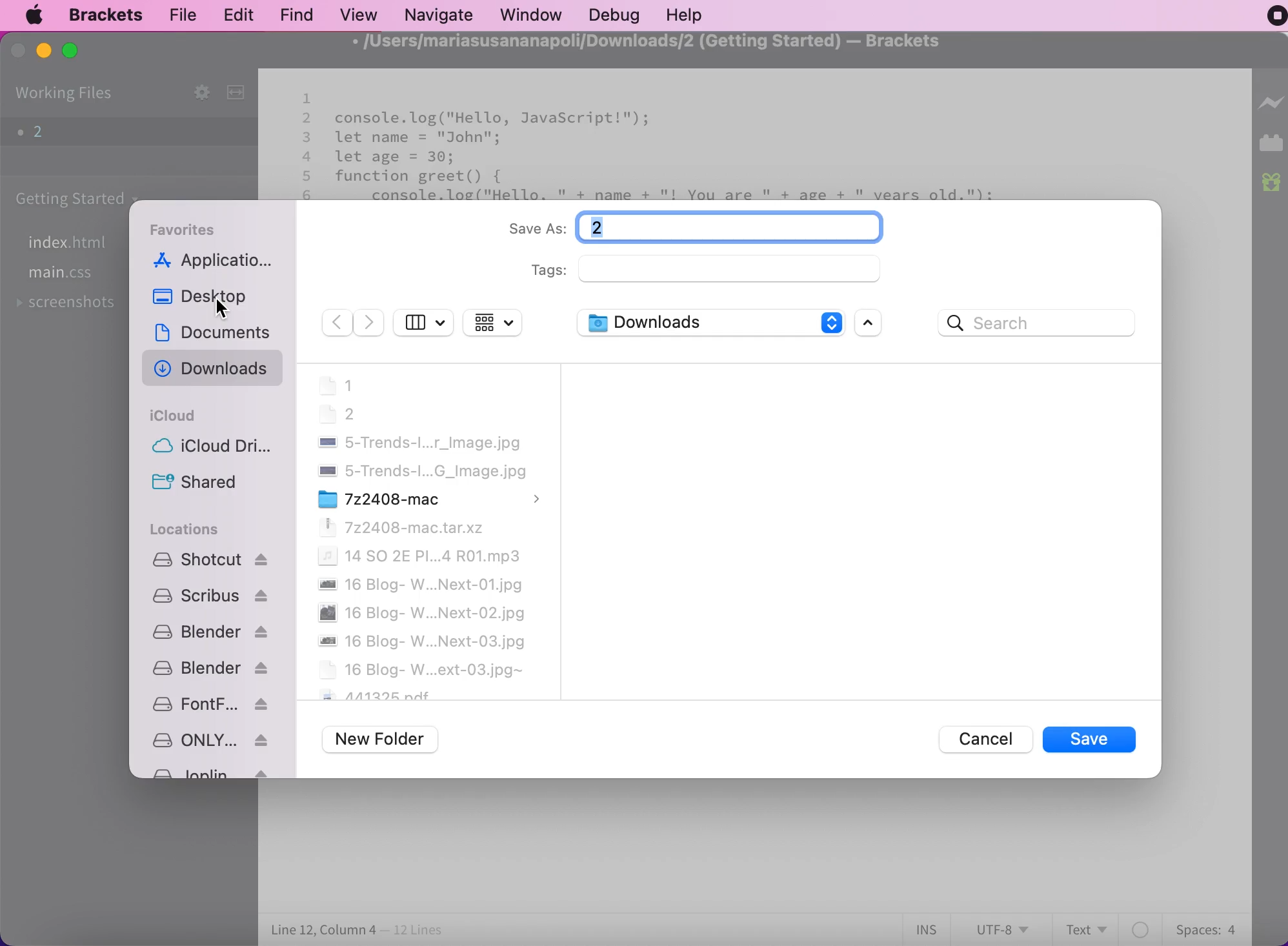 Image resolution: width=1288 pixels, height=946 pixels. I want to click on cursor, so click(185, 30).